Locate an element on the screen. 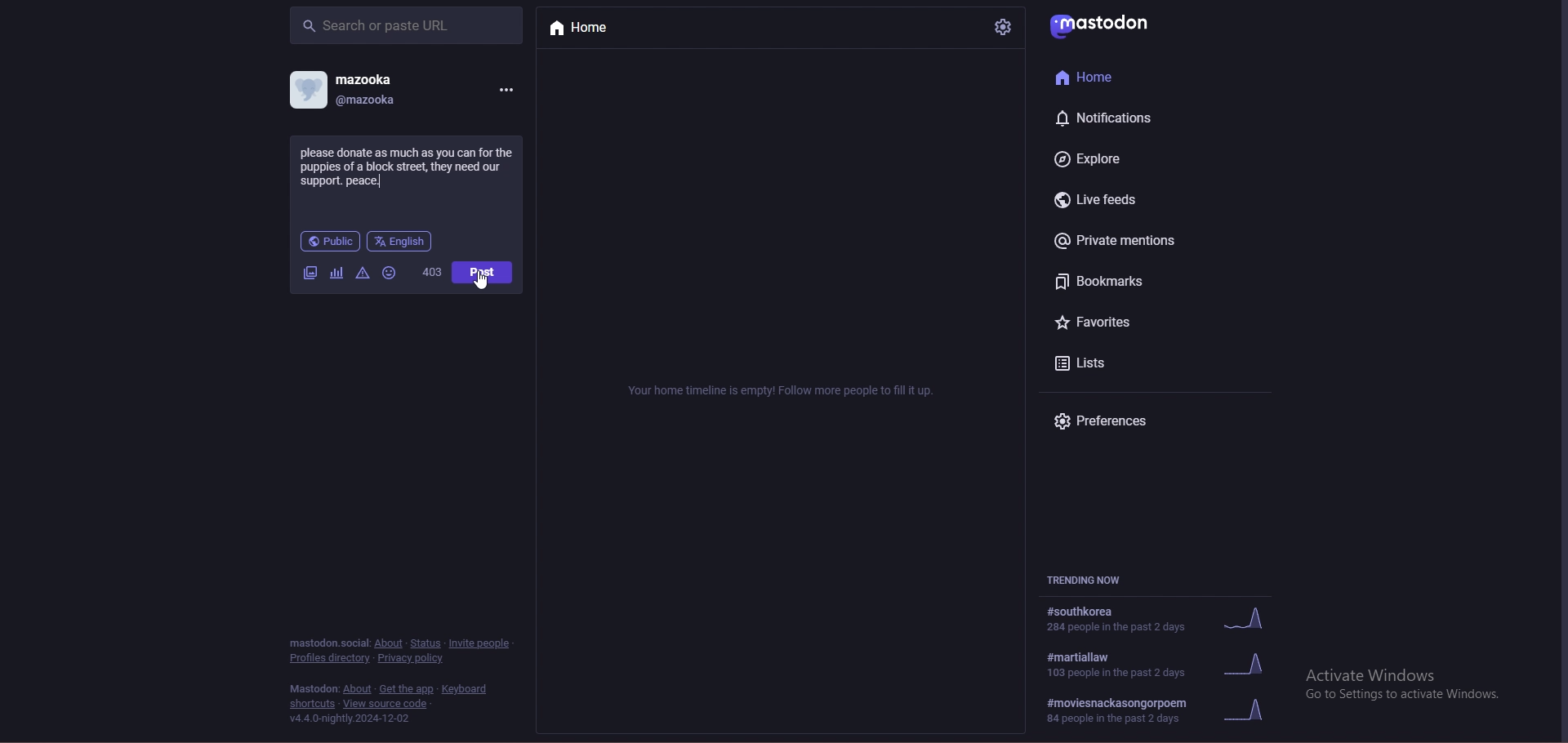  #moviesnackasongorpoem is located at coordinates (1159, 709).